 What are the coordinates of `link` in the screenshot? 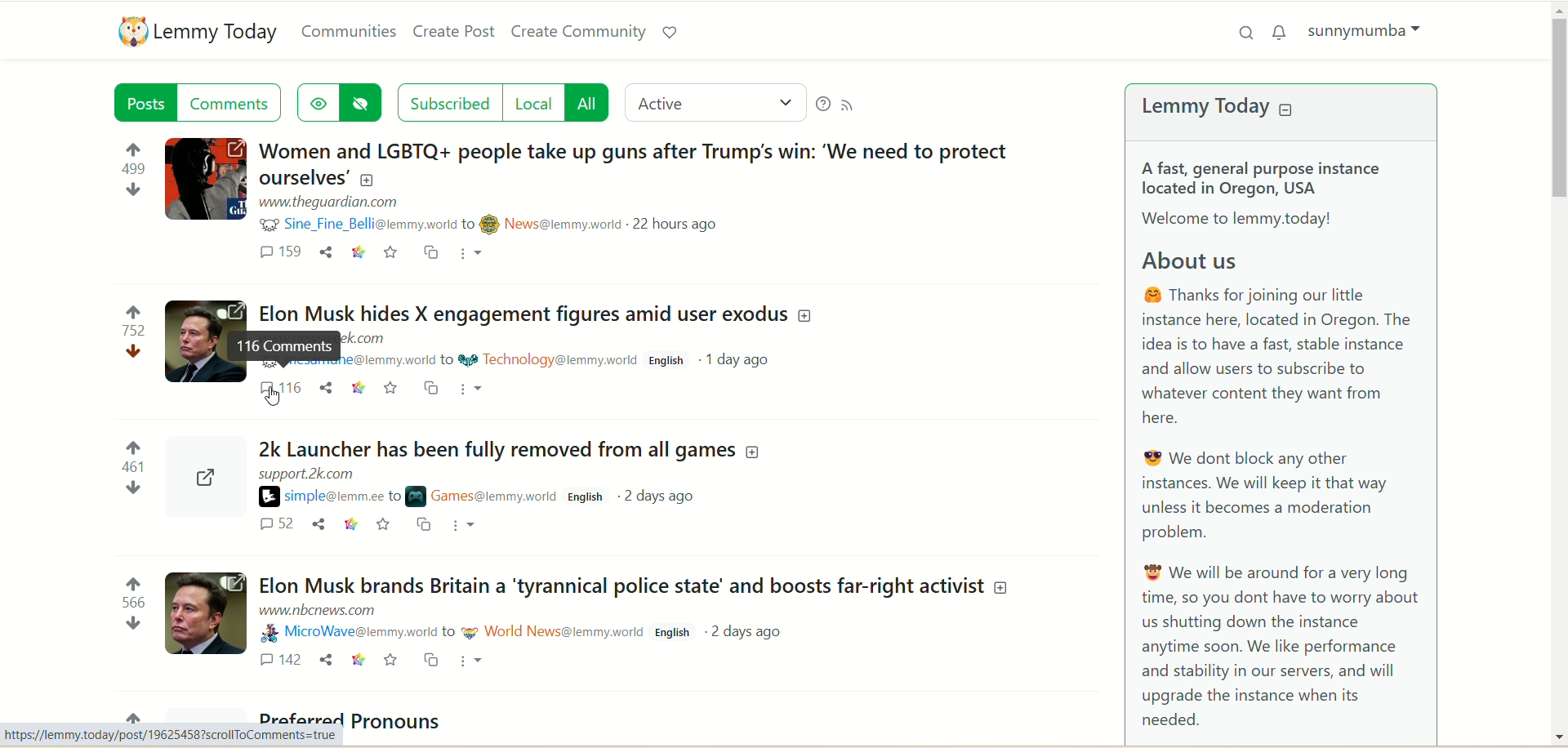 It's located at (351, 523).